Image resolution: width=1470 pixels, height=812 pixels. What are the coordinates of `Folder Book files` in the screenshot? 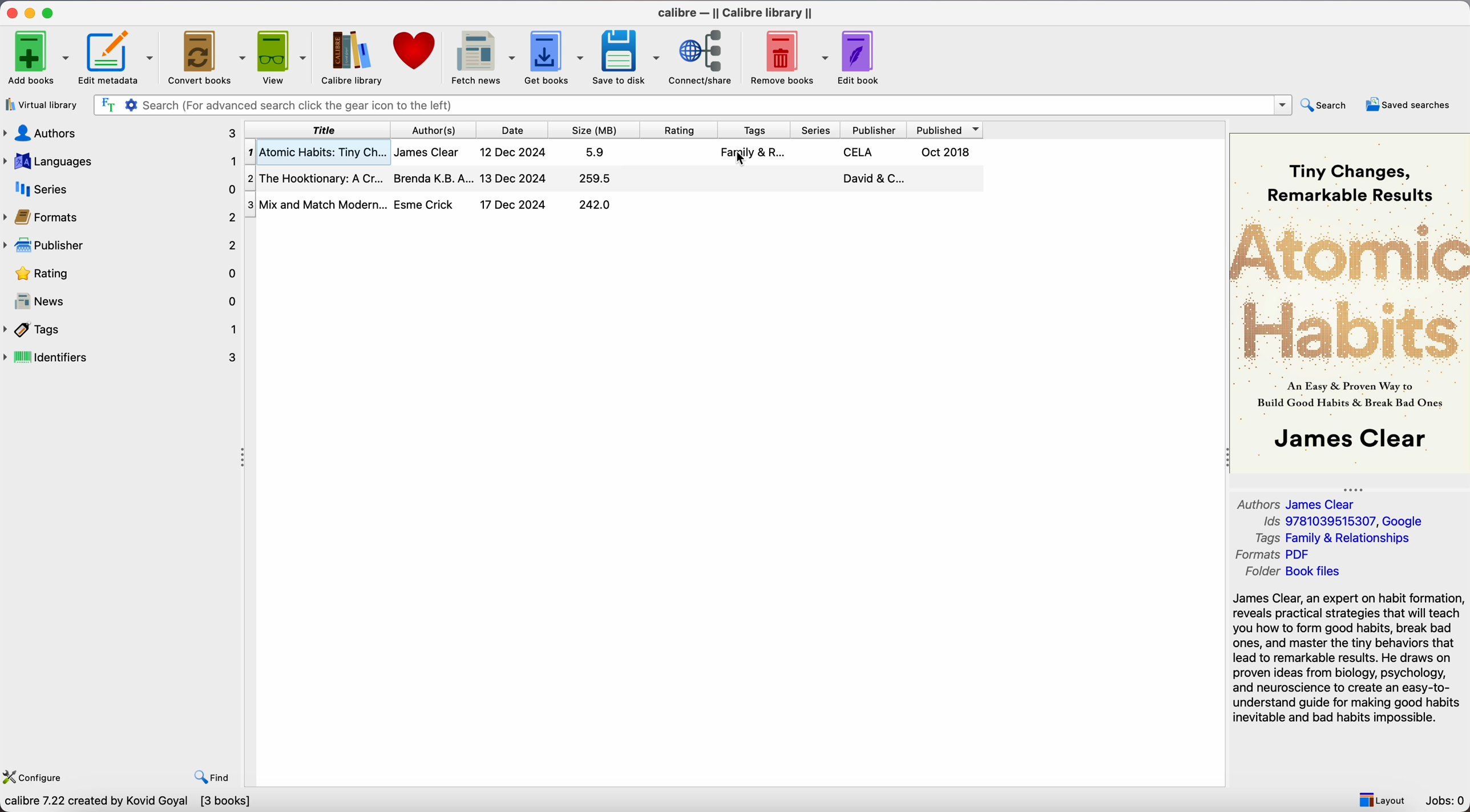 It's located at (1294, 572).